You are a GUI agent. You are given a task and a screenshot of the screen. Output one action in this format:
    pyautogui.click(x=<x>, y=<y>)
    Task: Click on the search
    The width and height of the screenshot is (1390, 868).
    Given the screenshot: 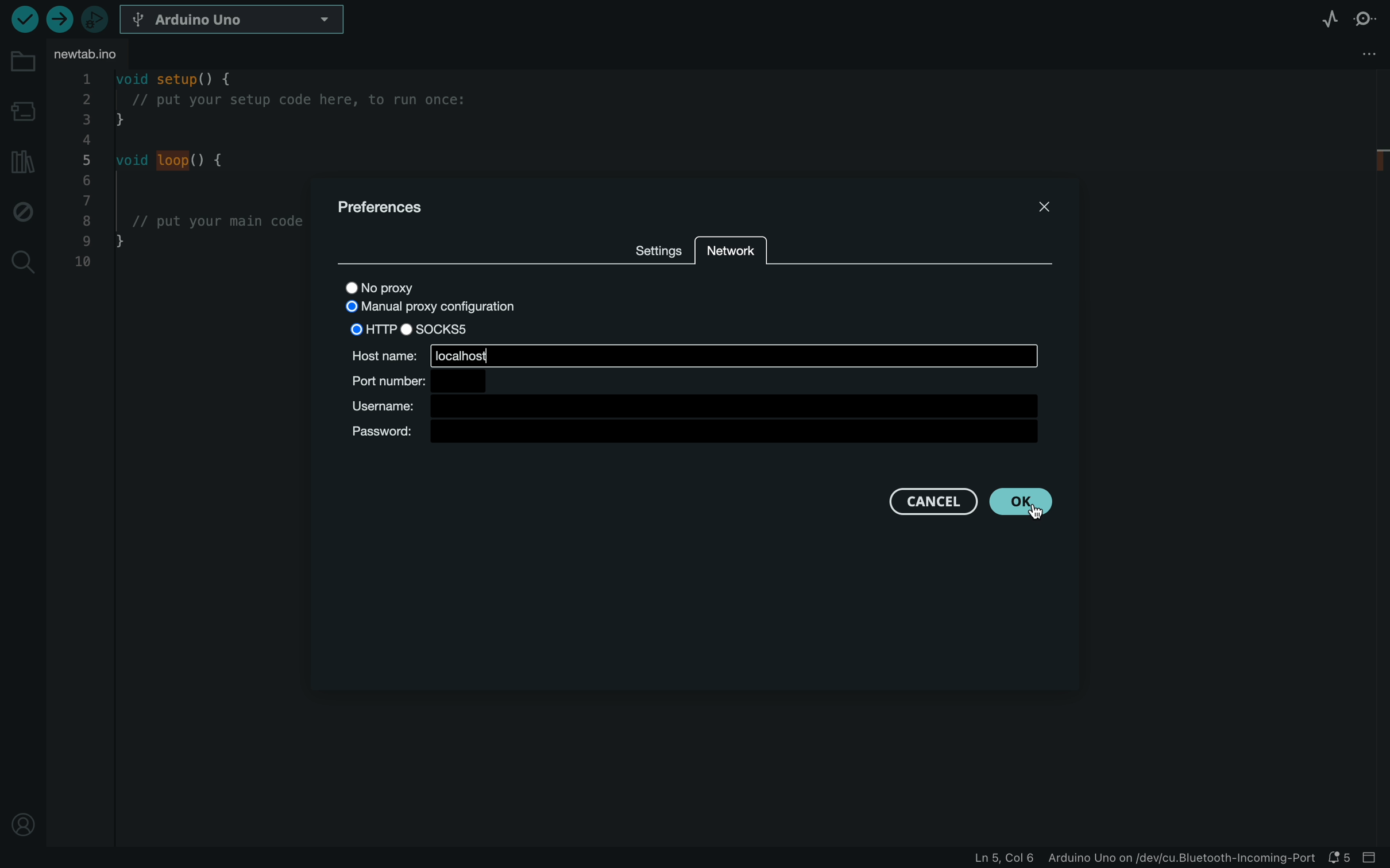 What is the action you would take?
    pyautogui.click(x=21, y=261)
    